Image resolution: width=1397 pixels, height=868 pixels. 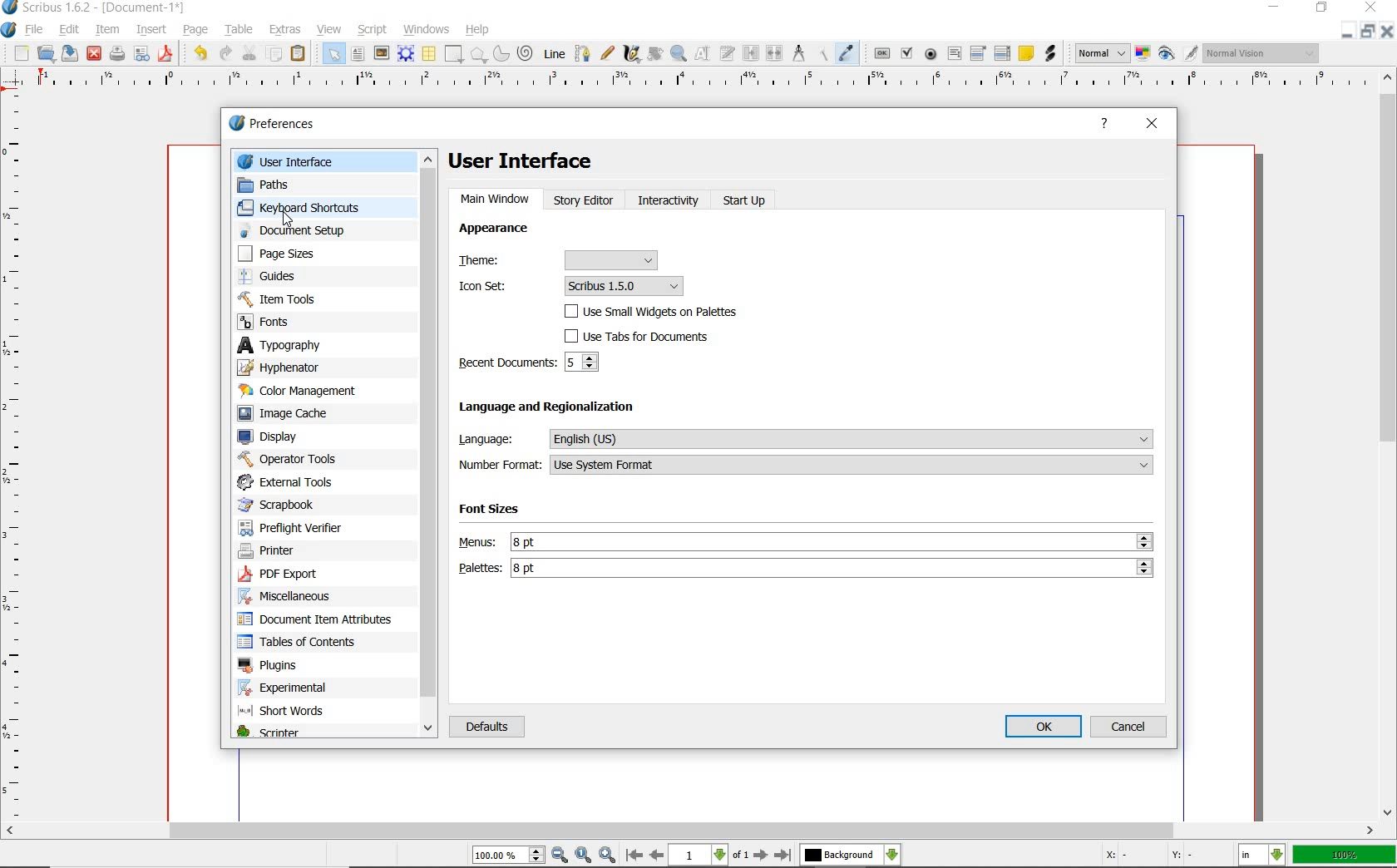 What do you see at coordinates (608, 53) in the screenshot?
I see `freehand line` at bounding box center [608, 53].